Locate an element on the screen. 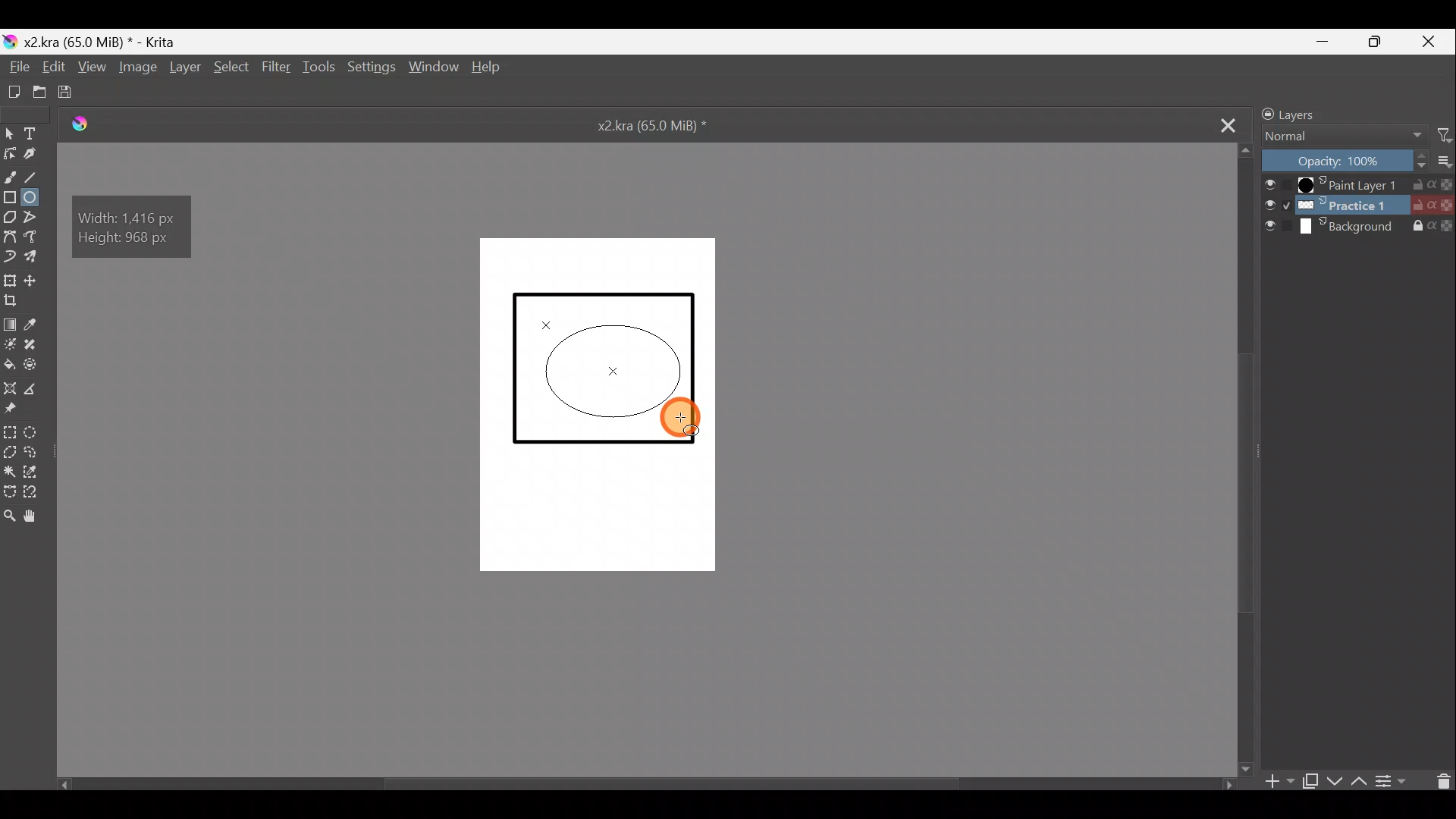 This screenshot has width=1456, height=819. x2.kra (65.0 MiB) * - Krita is located at coordinates (108, 39).